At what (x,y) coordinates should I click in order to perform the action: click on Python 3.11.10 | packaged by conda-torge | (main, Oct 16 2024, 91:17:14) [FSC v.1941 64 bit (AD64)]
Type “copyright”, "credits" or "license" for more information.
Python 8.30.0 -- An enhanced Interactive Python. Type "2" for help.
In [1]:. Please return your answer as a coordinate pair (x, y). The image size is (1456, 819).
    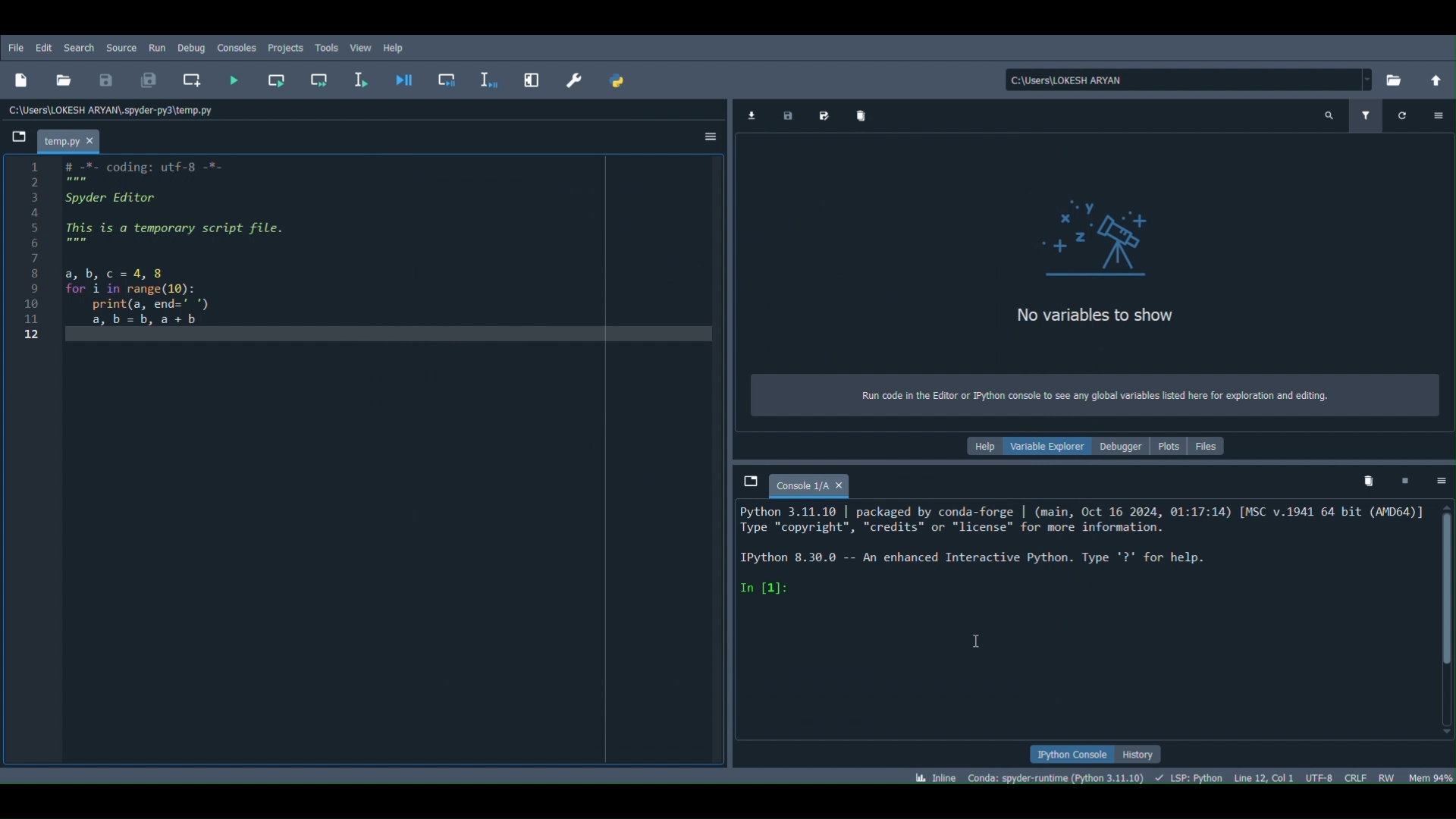
    Looking at the image, I should click on (1068, 554).